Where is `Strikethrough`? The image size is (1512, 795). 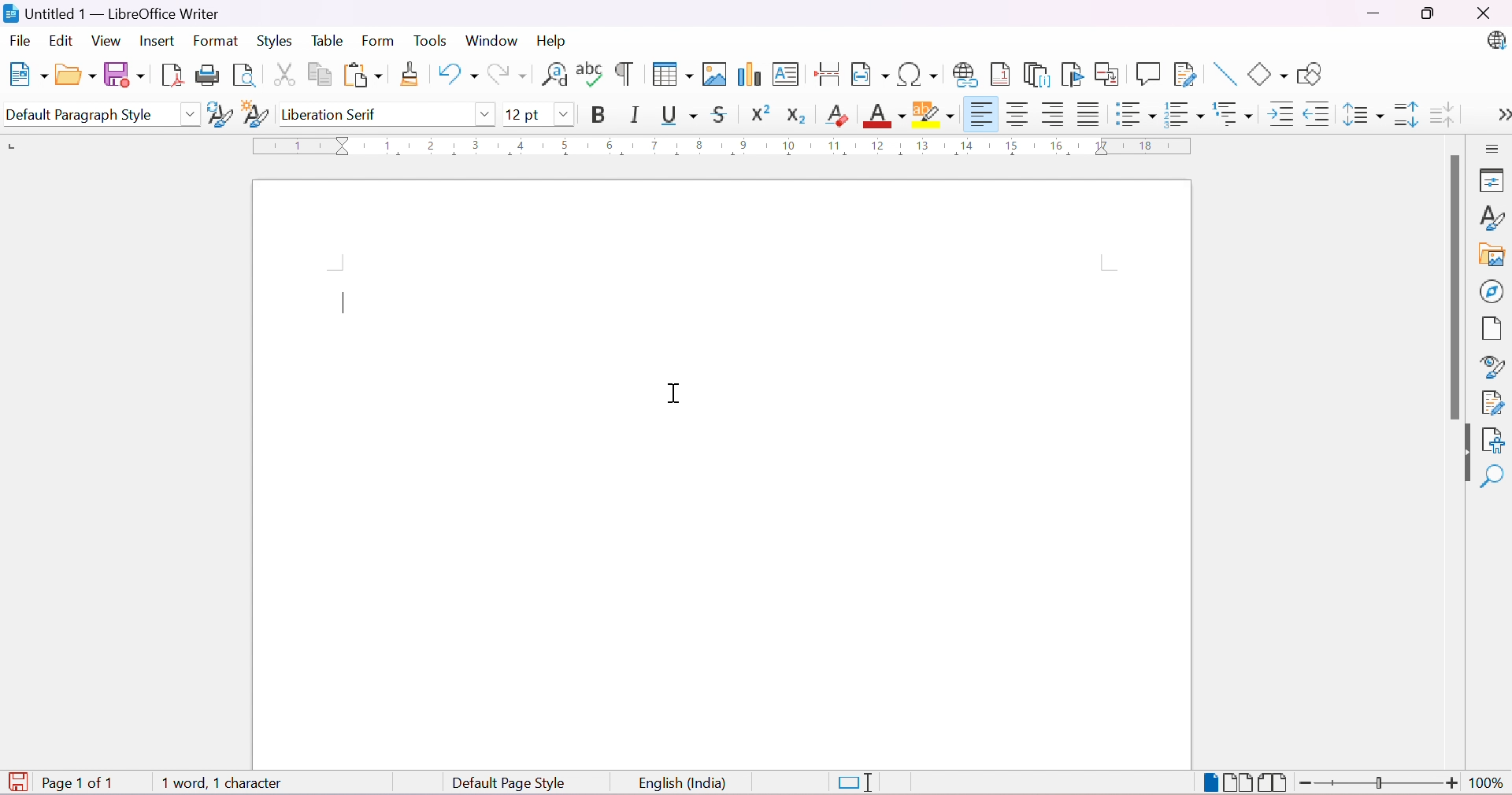 Strikethrough is located at coordinates (721, 113).